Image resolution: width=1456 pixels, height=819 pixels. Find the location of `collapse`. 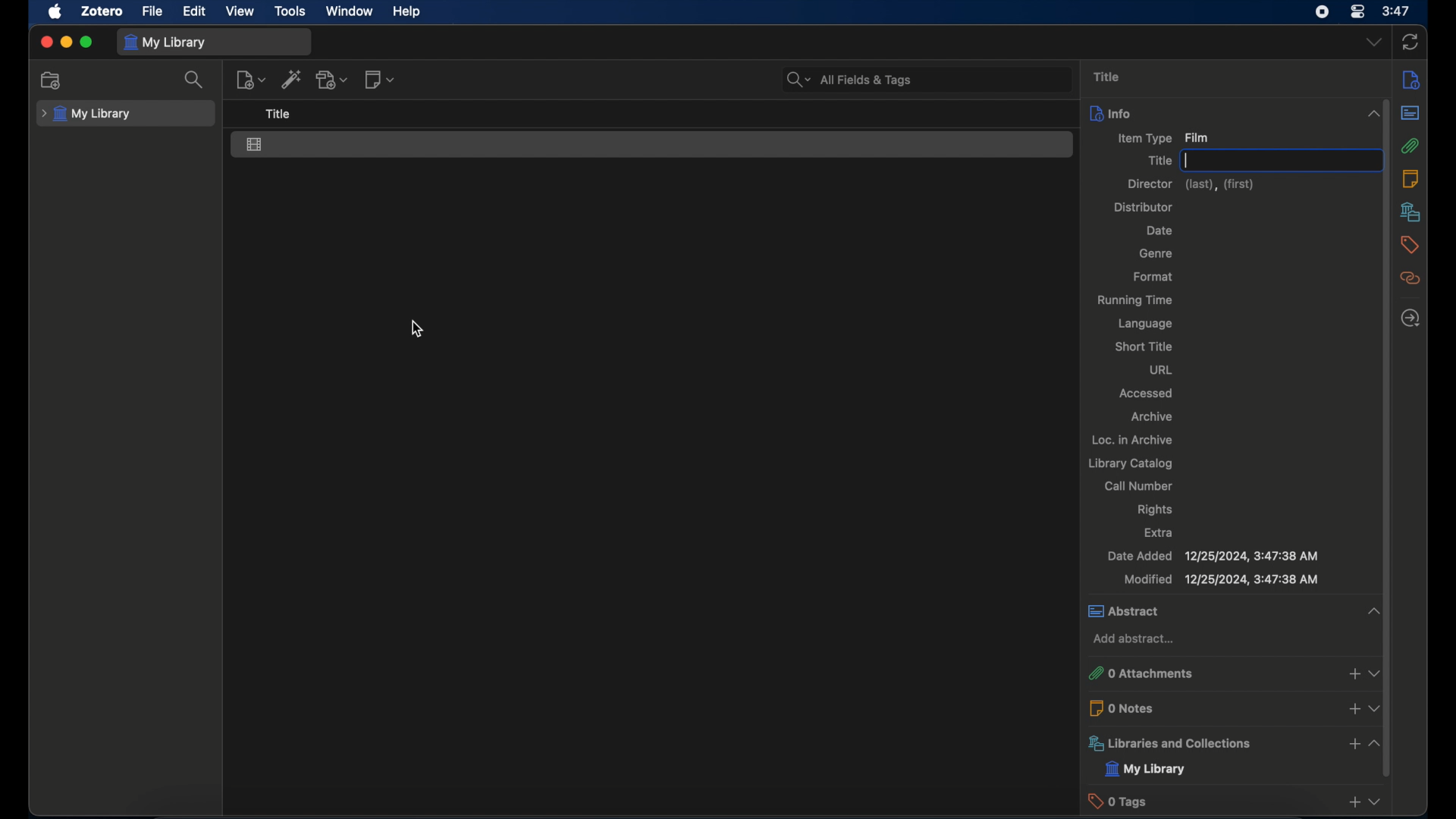

collapse is located at coordinates (1372, 610).